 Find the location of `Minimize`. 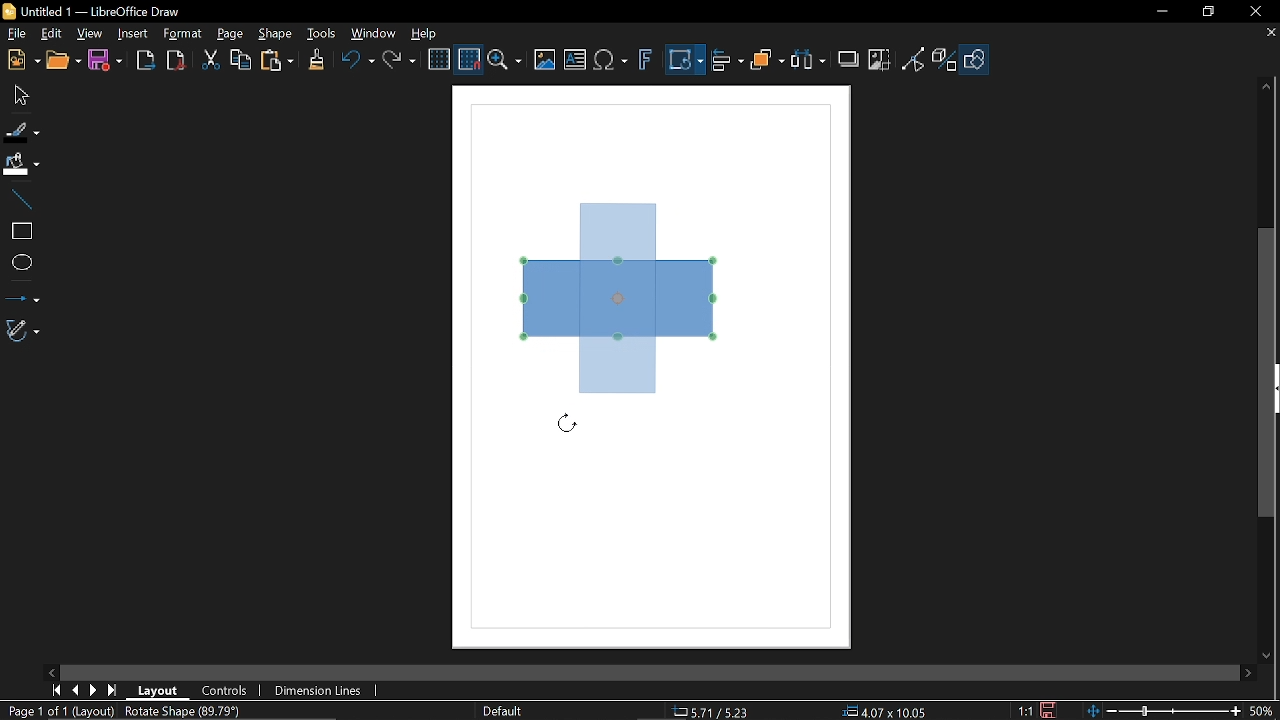

Minimize is located at coordinates (1159, 12).